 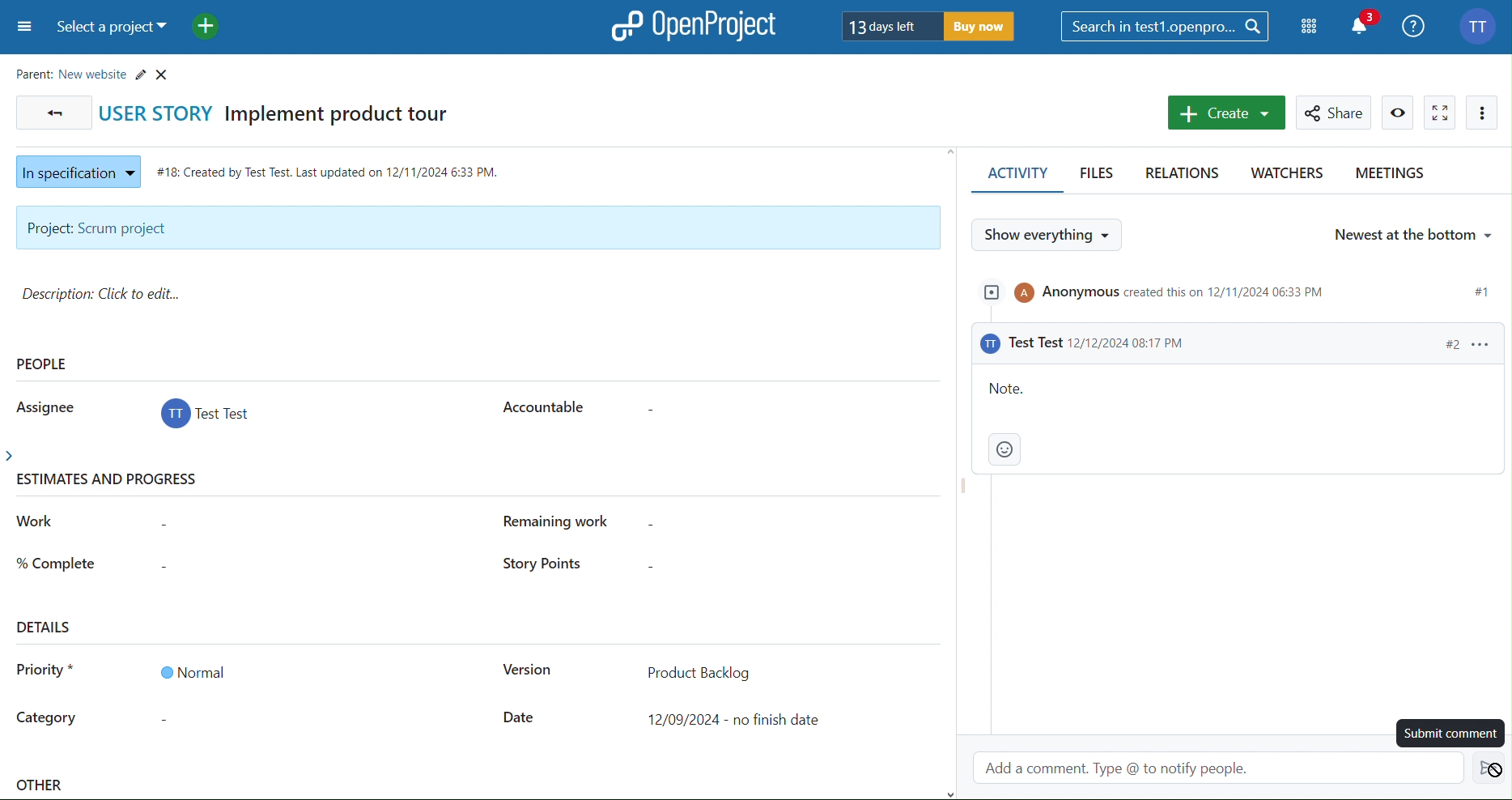 What do you see at coordinates (46, 626) in the screenshot?
I see `Details` at bounding box center [46, 626].